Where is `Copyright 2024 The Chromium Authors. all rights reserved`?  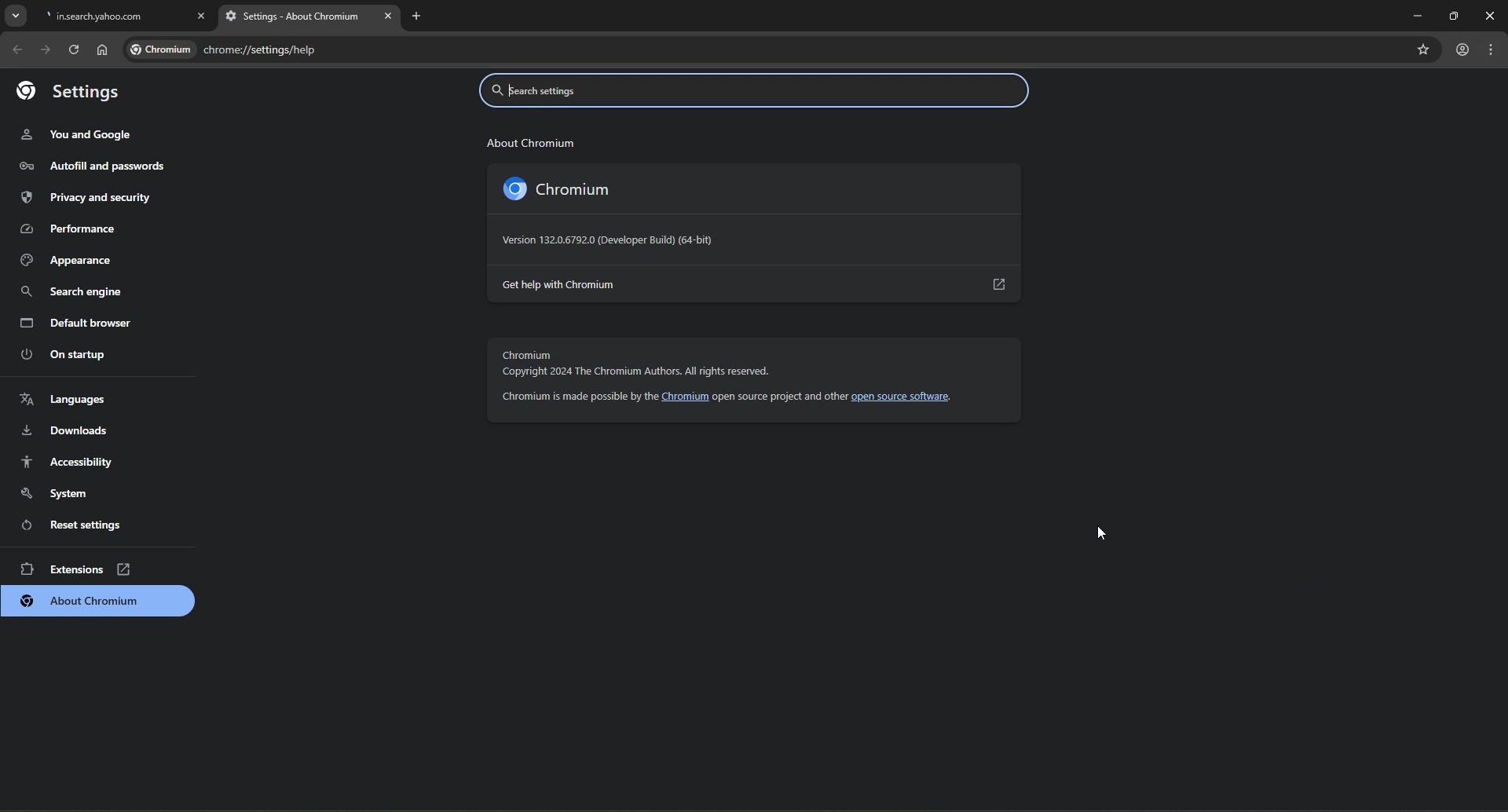 Copyright 2024 The Chromium Authors. all rights reserved is located at coordinates (639, 372).